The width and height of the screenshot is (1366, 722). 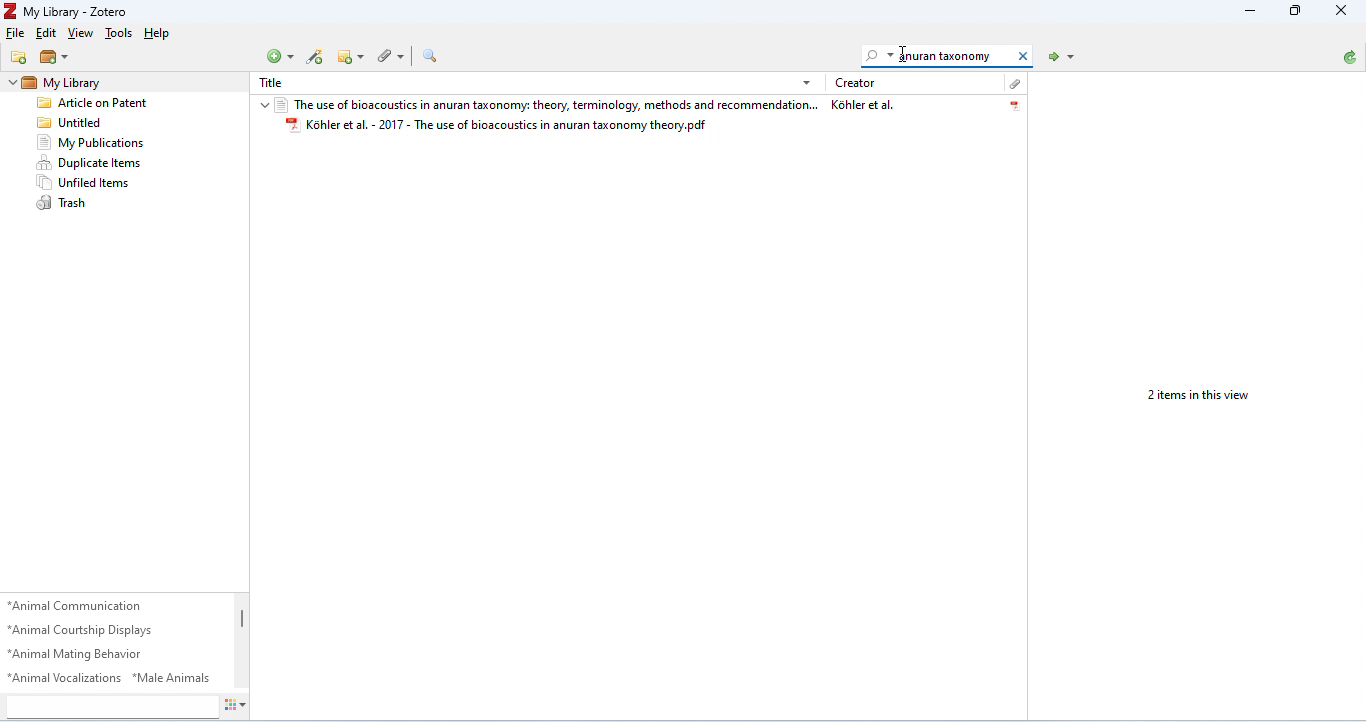 What do you see at coordinates (429, 56) in the screenshot?
I see `Advanced Search` at bounding box center [429, 56].